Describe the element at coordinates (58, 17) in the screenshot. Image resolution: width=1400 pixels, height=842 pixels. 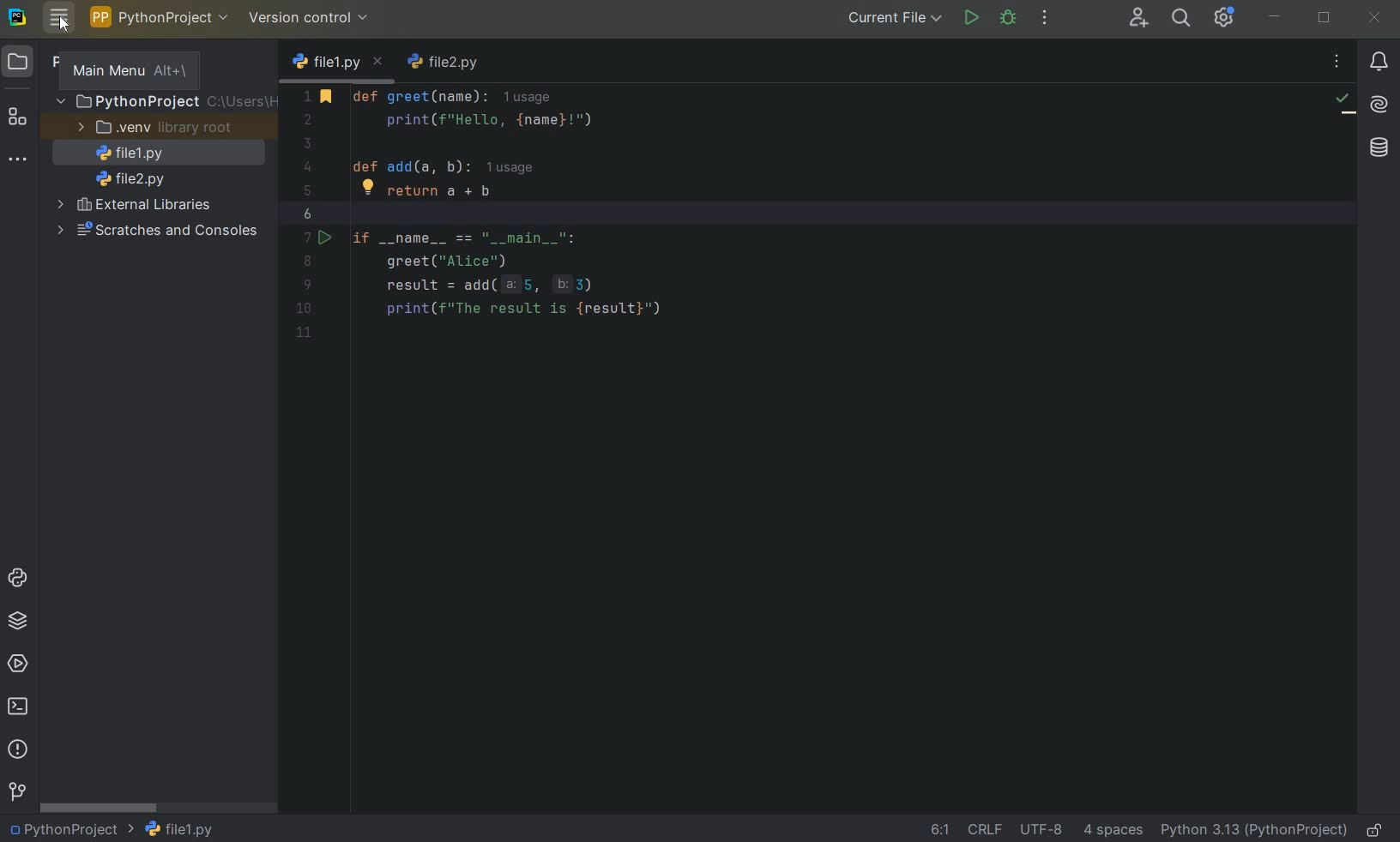
I see `main menu` at that location.